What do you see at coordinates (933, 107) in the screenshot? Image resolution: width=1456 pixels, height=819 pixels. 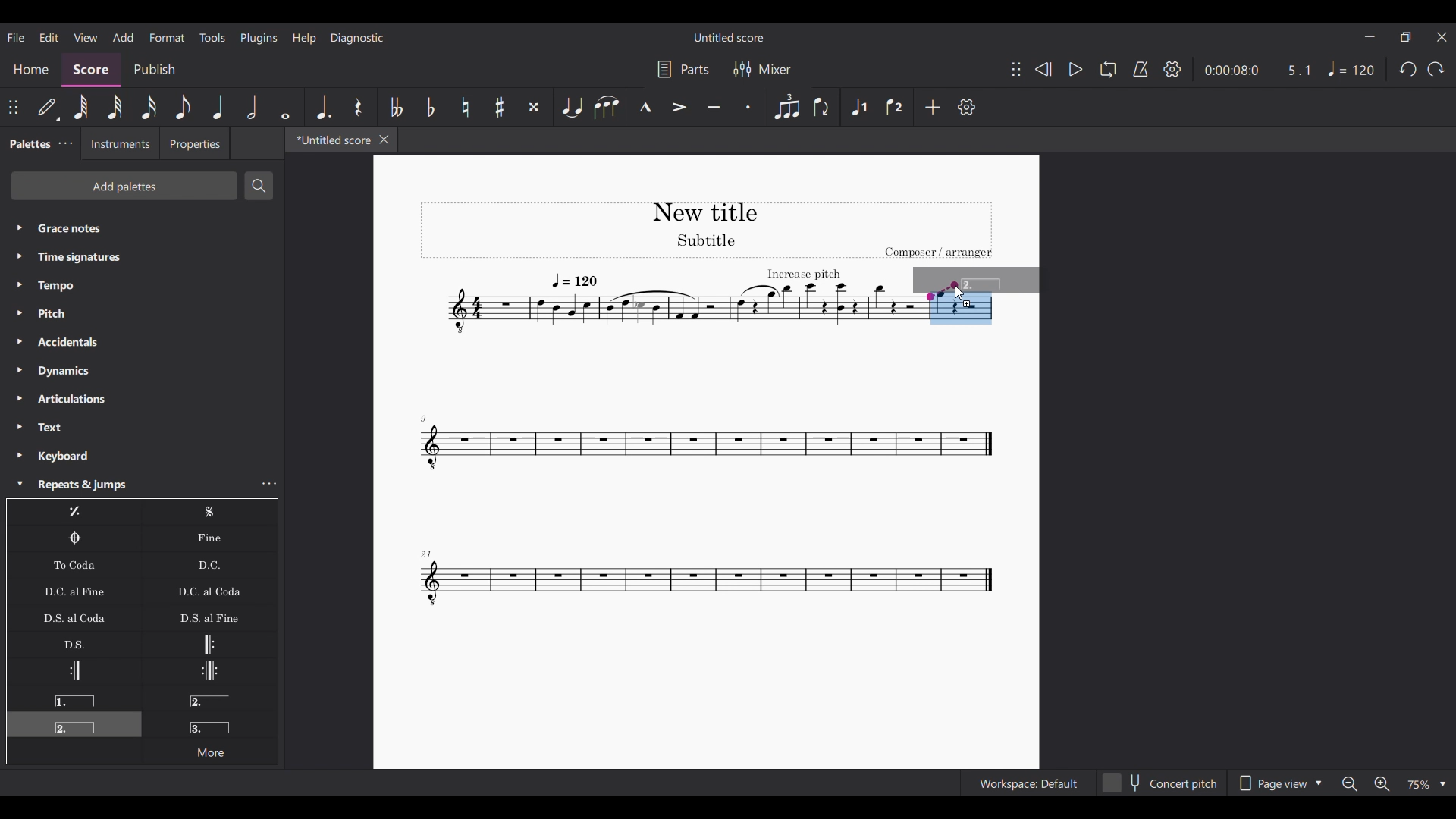 I see `Add` at bounding box center [933, 107].